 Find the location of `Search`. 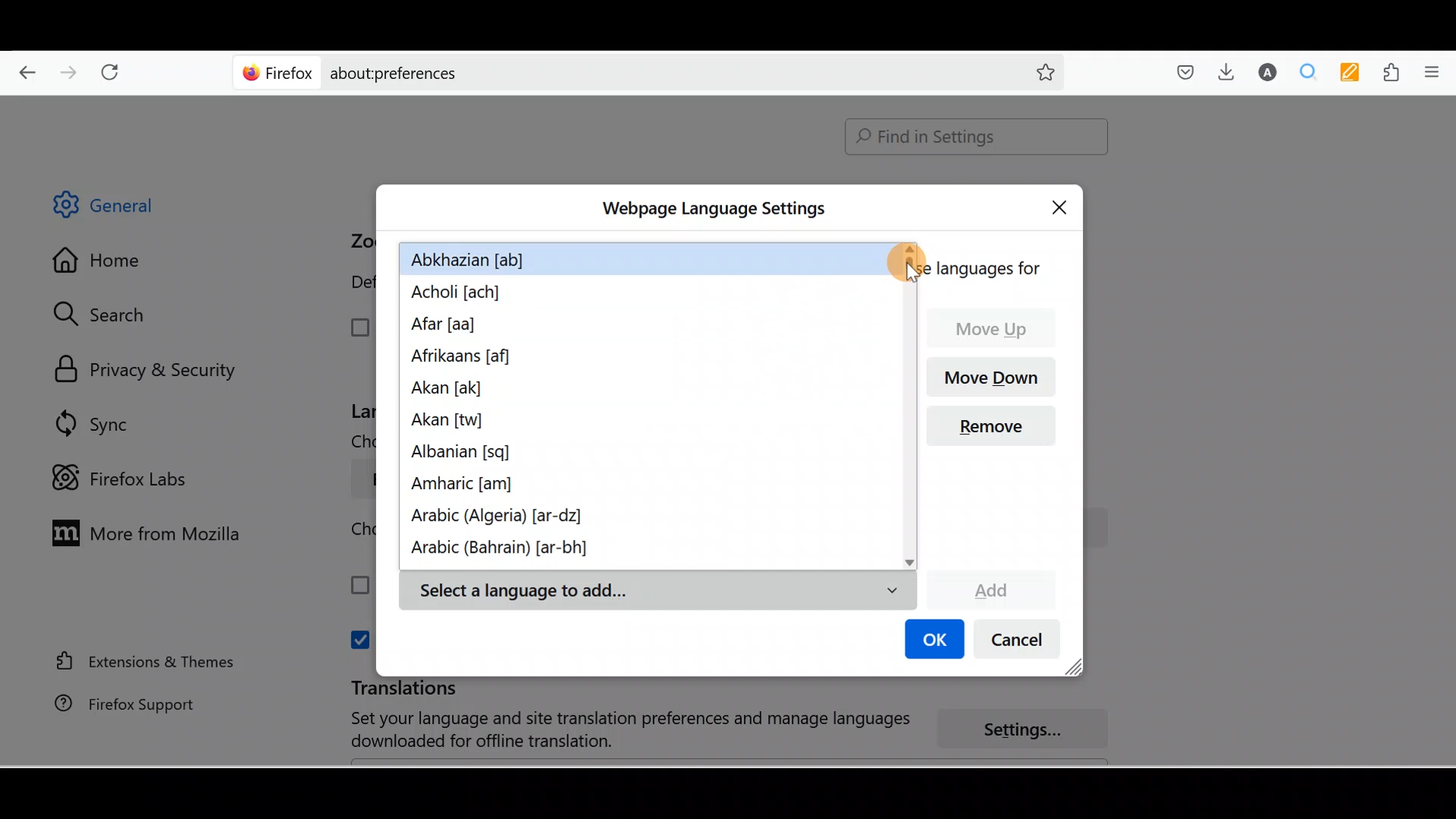

Search is located at coordinates (107, 314).